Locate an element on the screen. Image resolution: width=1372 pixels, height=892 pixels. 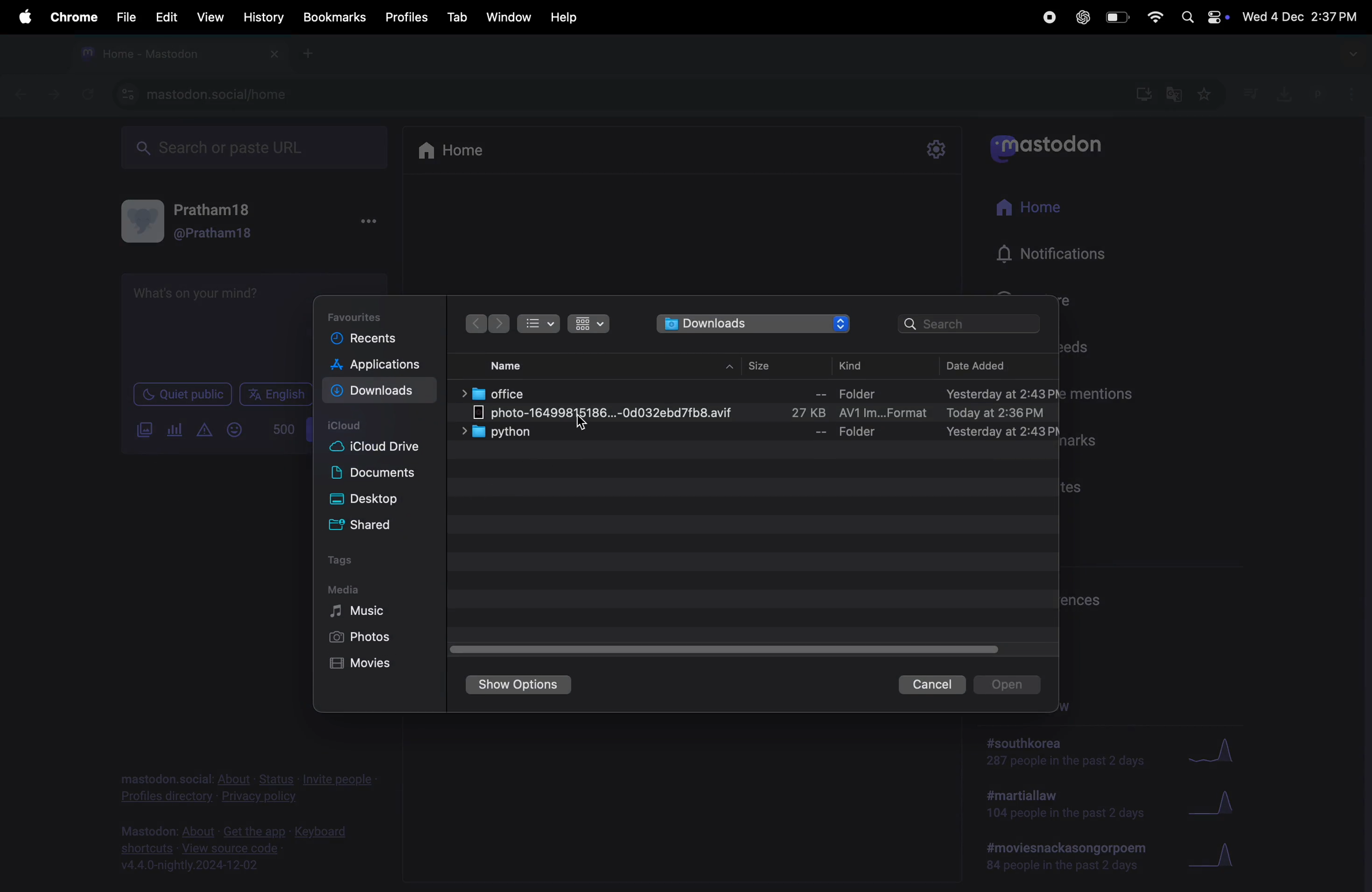
i colud drive is located at coordinates (374, 449).